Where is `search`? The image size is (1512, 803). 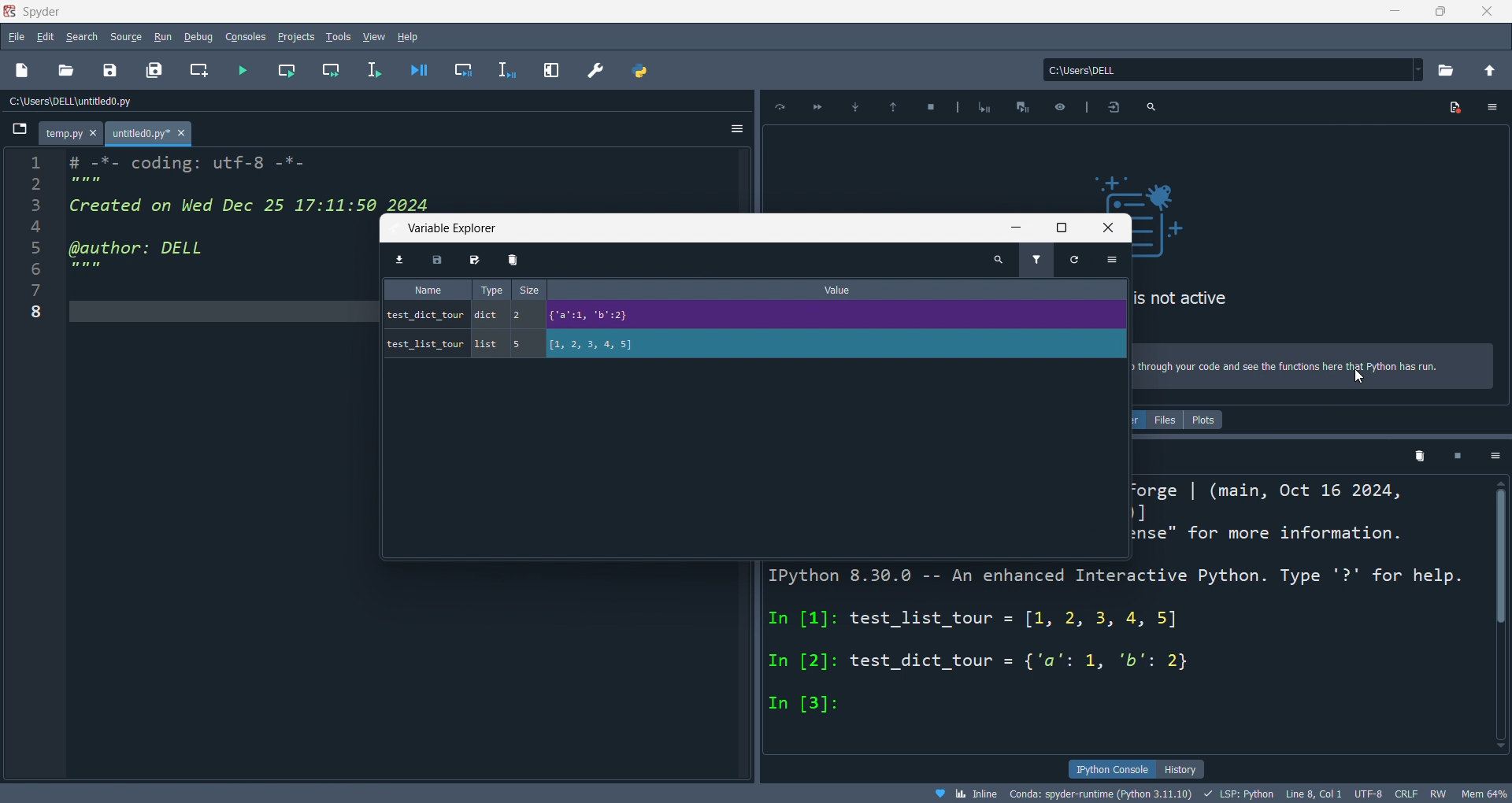
search is located at coordinates (1000, 261).